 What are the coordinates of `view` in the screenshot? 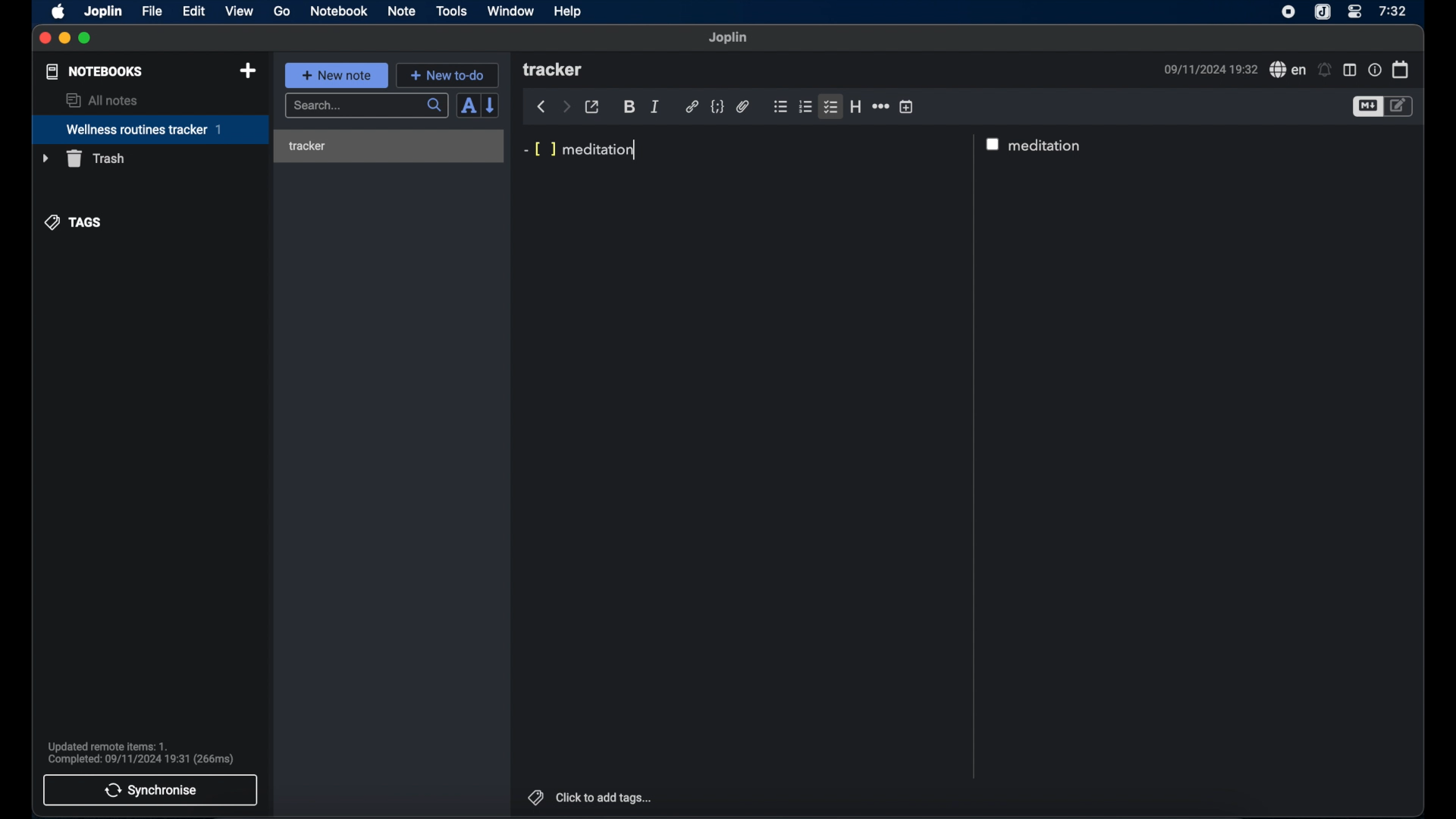 It's located at (239, 11).